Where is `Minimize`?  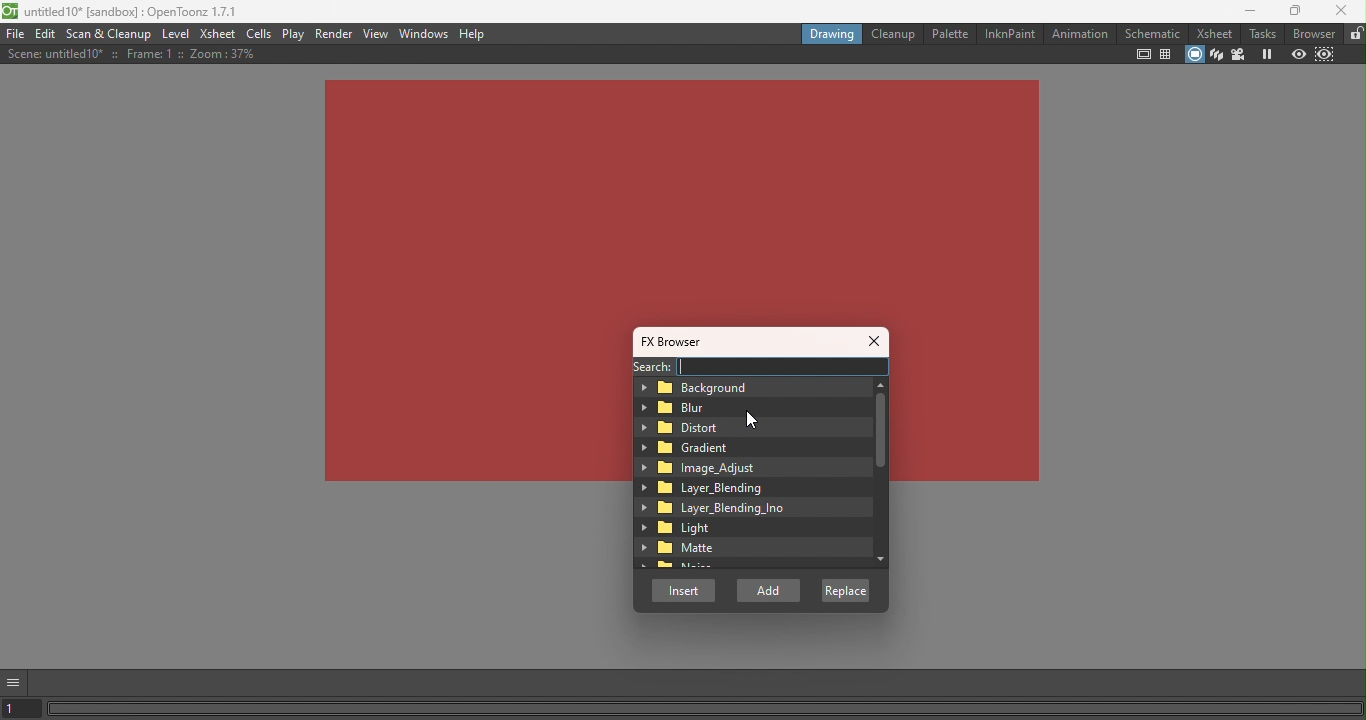
Minimize is located at coordinates (1247, 11).